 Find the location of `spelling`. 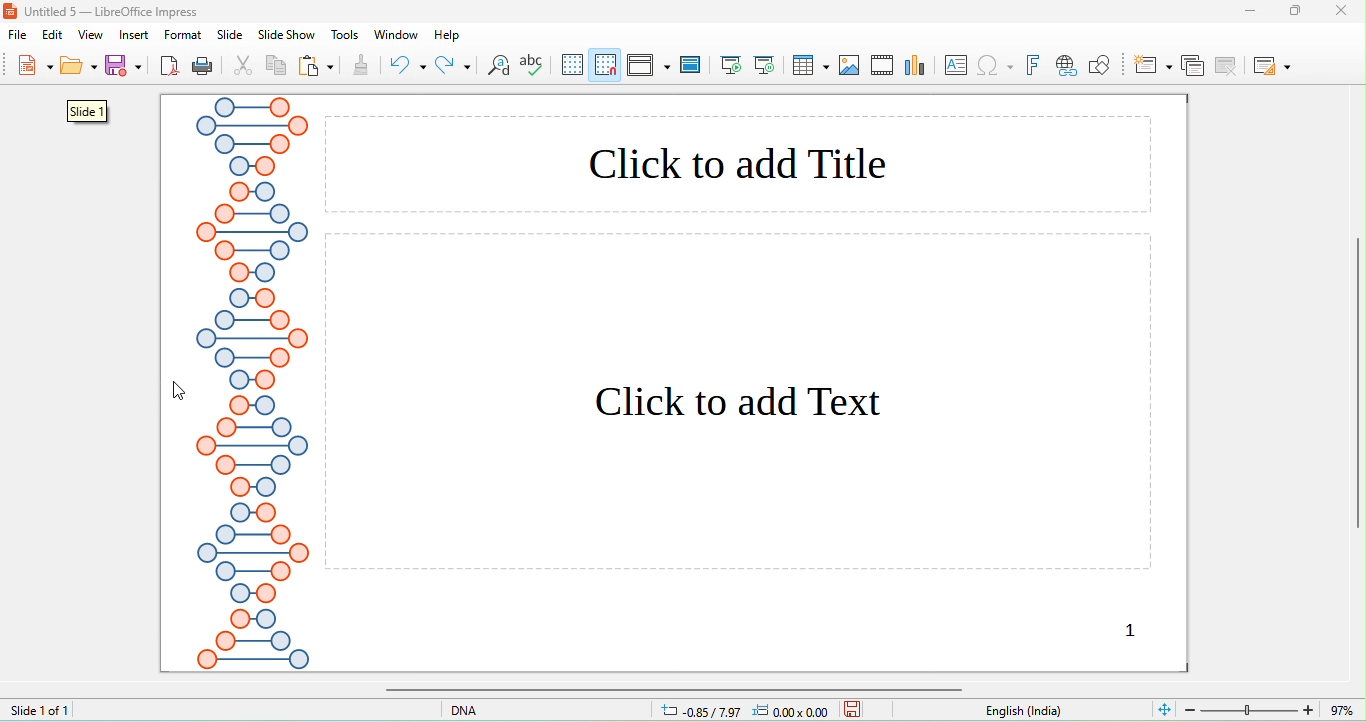

spelling is located at coordinates (535, 67).